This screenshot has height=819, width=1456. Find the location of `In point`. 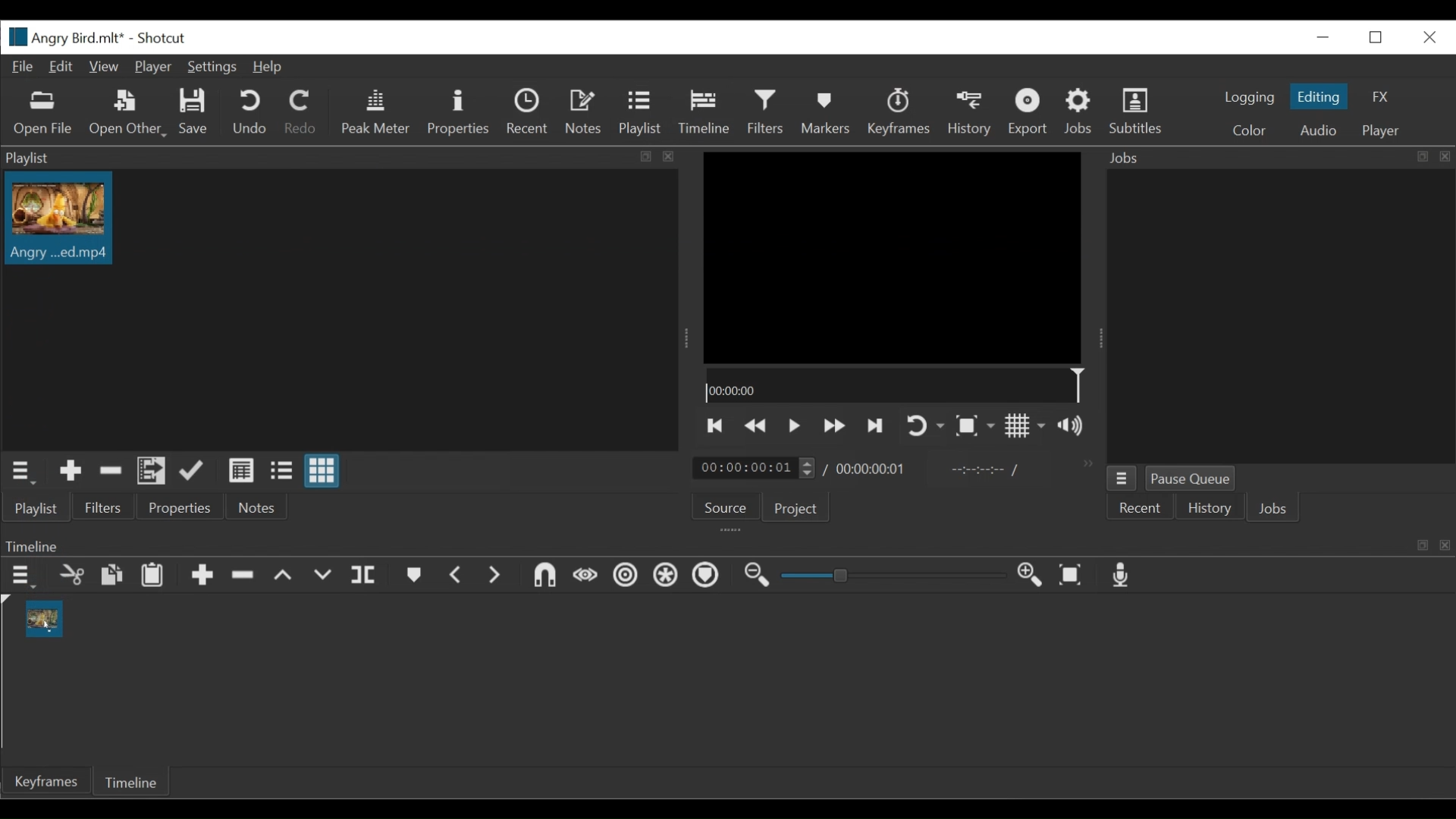

In point is located at coordinates (984, 469).